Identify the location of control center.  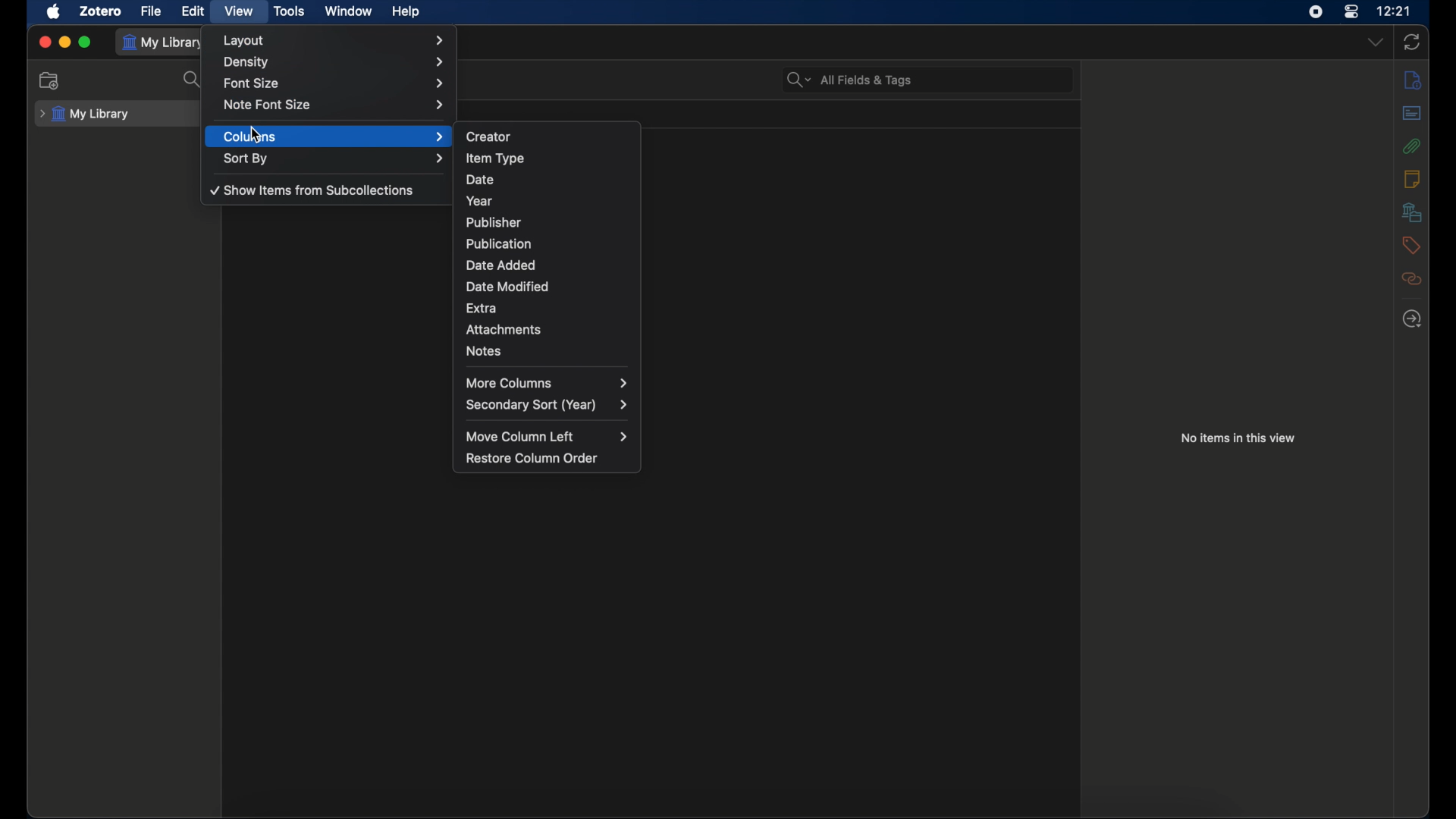
(1351, 12).